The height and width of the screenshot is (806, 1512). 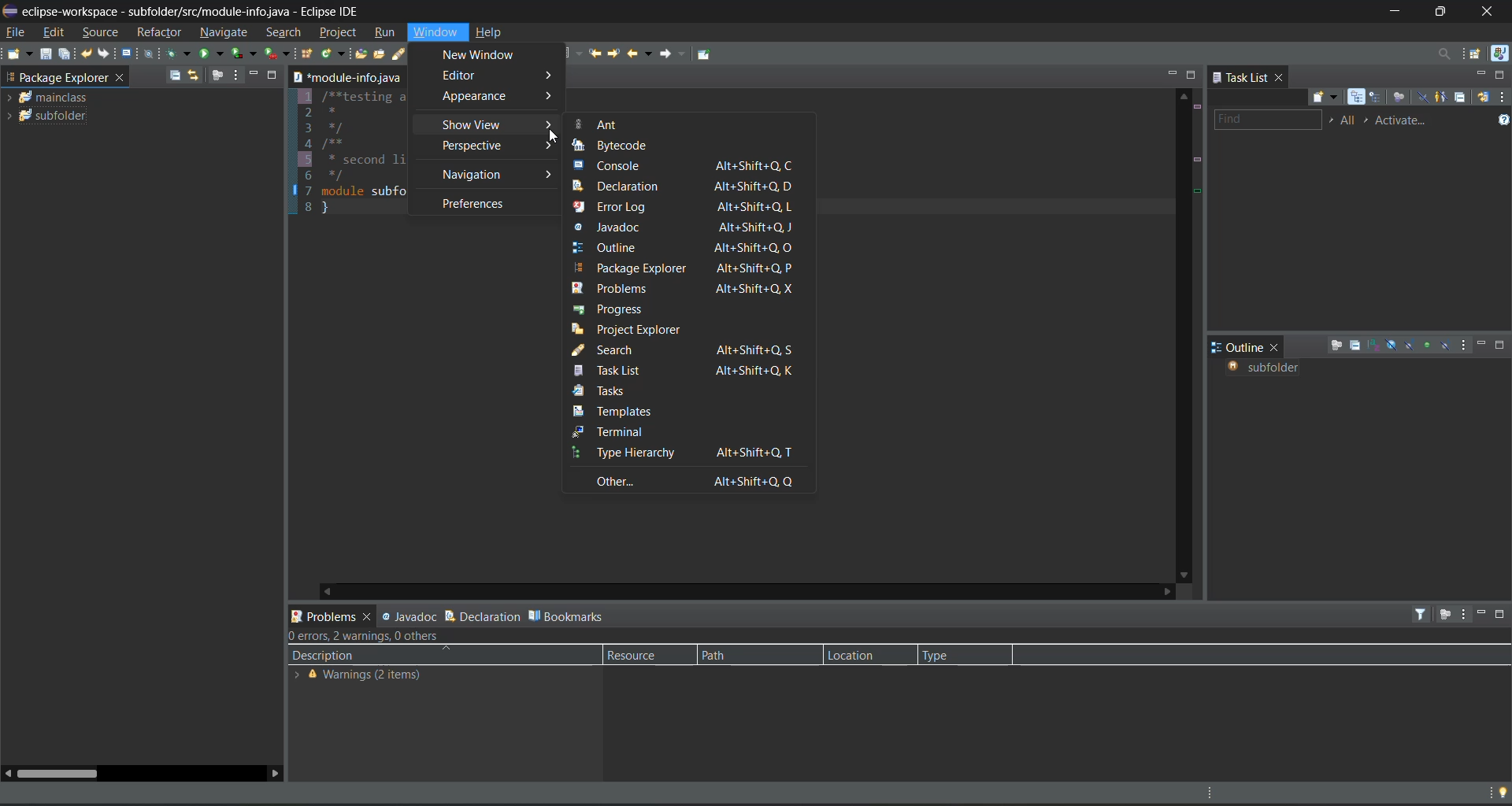 What do you see at coordinates (1464, 96) in the screenshot?
I see `collapse all` at bounding box center [1464, 96].